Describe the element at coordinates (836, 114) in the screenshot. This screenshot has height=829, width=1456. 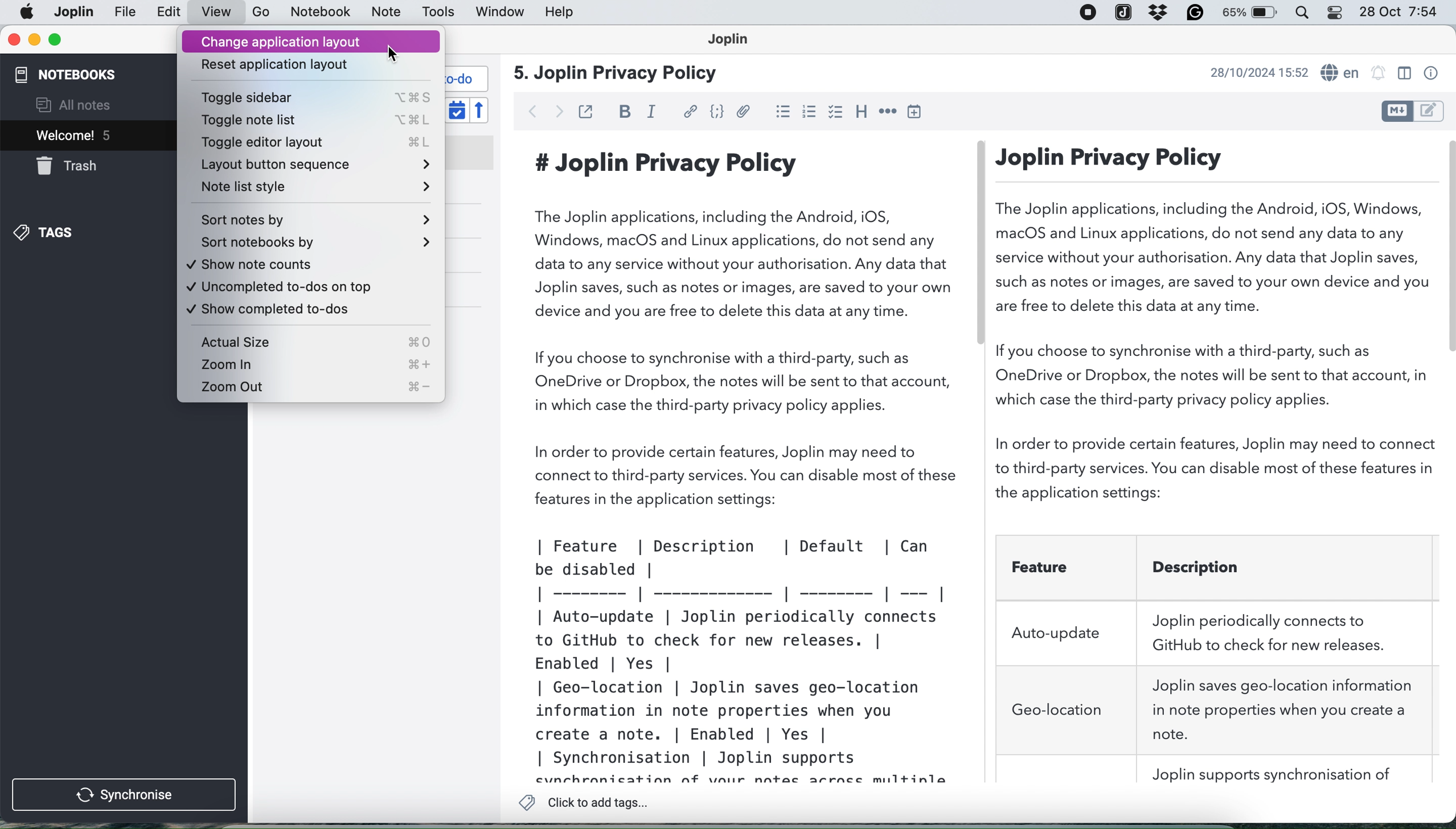
I see `checkbox` at that location.